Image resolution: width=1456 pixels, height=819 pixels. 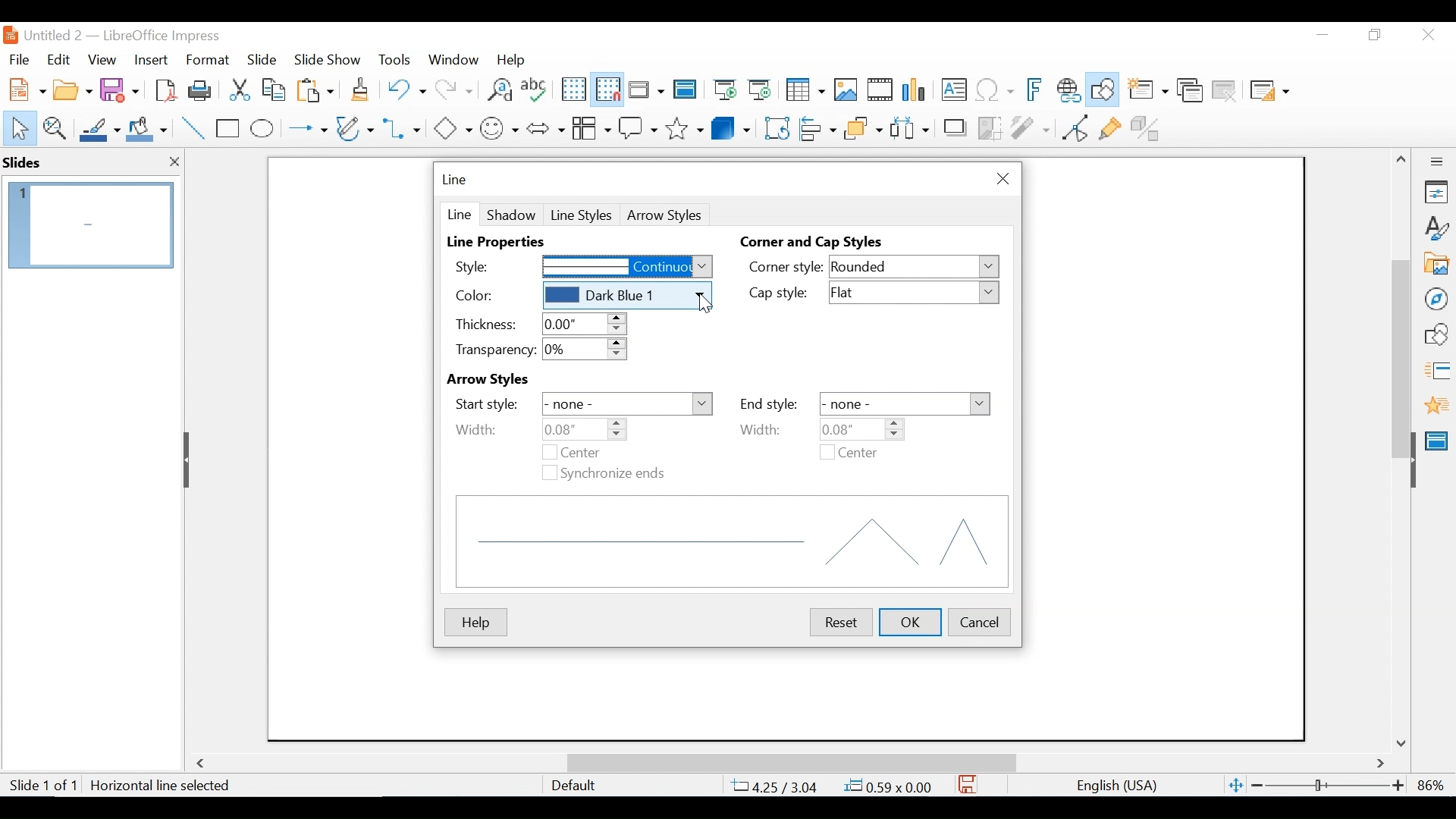 I want to click on Cursor, so click(x=706, y=306).